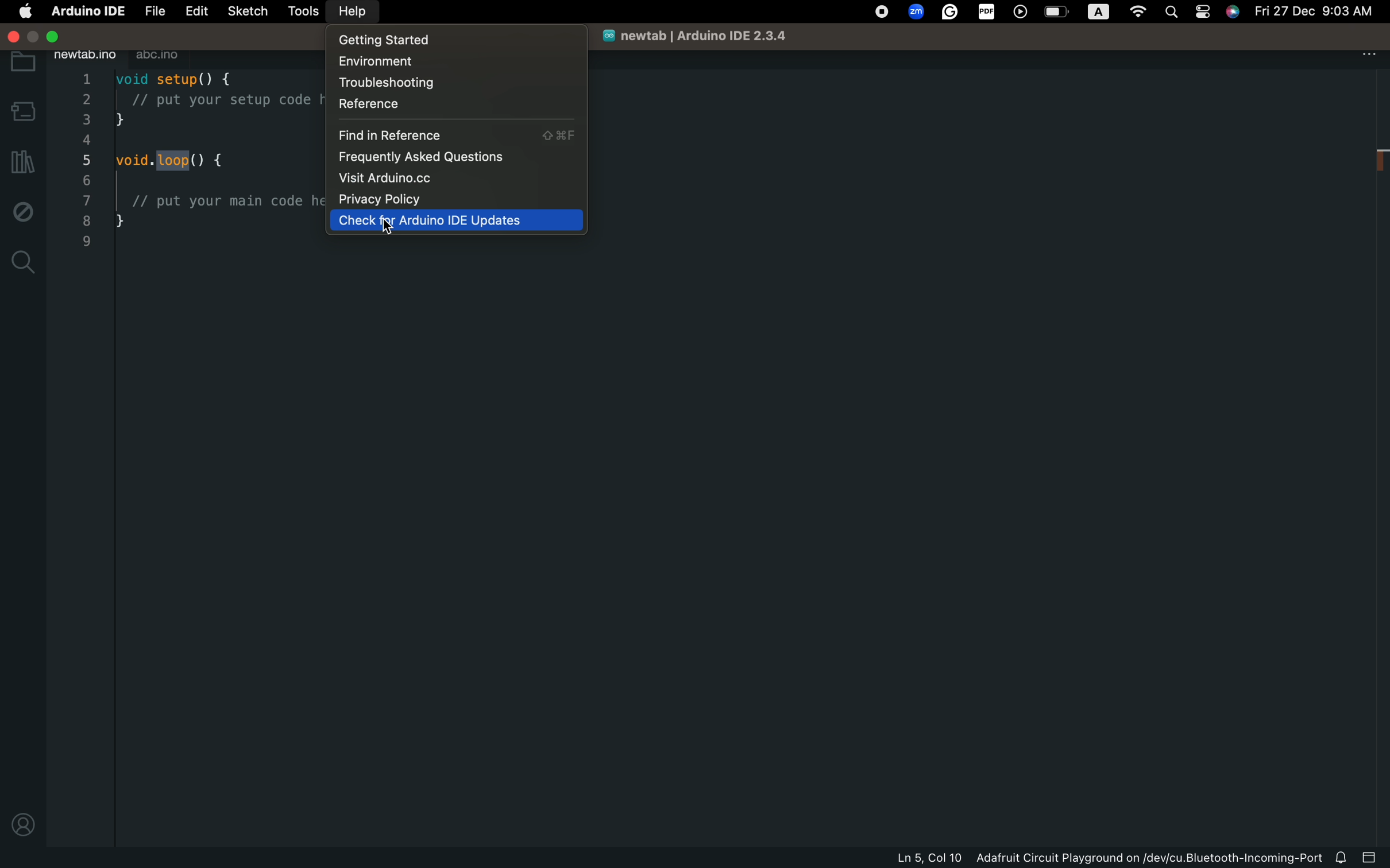 Image resolution: width=1390 pixels, height=868 pixels. What do you see at coordinates (436, 83) in the screenshot?
I see `troubleshooting` at bounding box center [436, 83].